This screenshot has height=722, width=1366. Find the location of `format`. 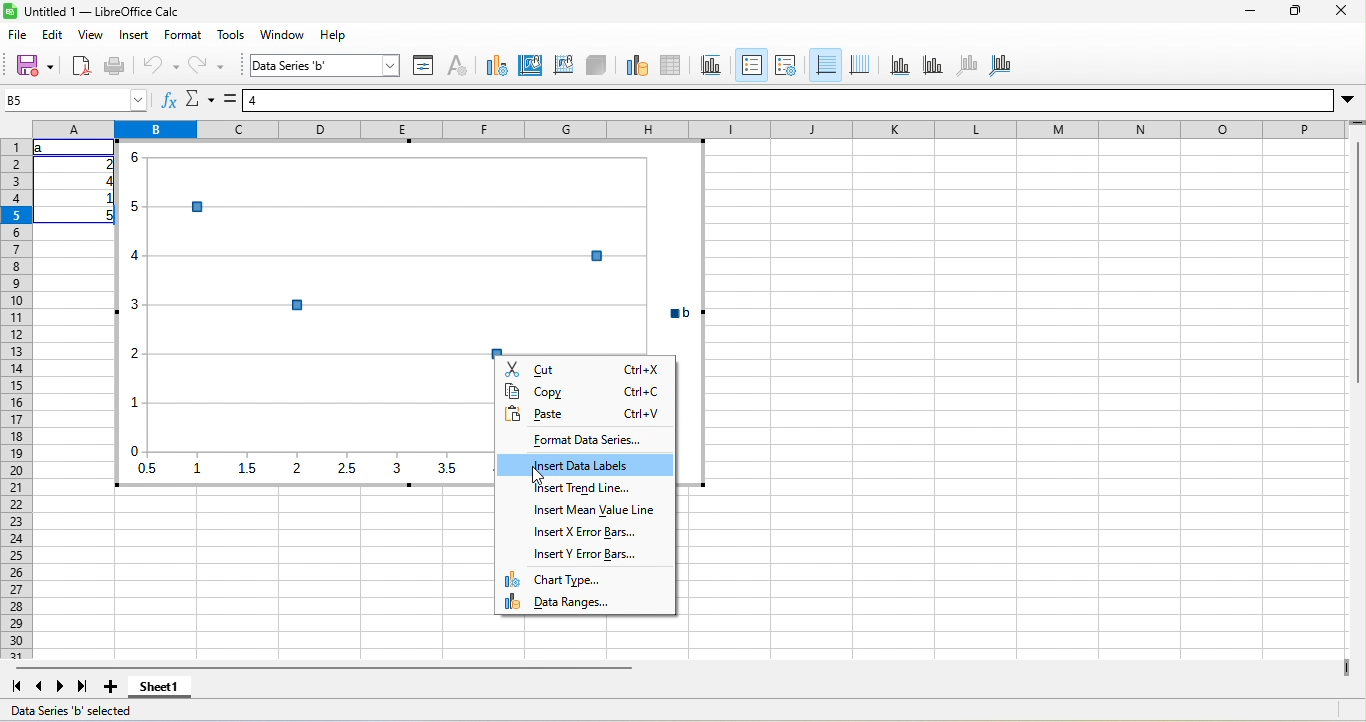

format is located at coordinates (183, 35).